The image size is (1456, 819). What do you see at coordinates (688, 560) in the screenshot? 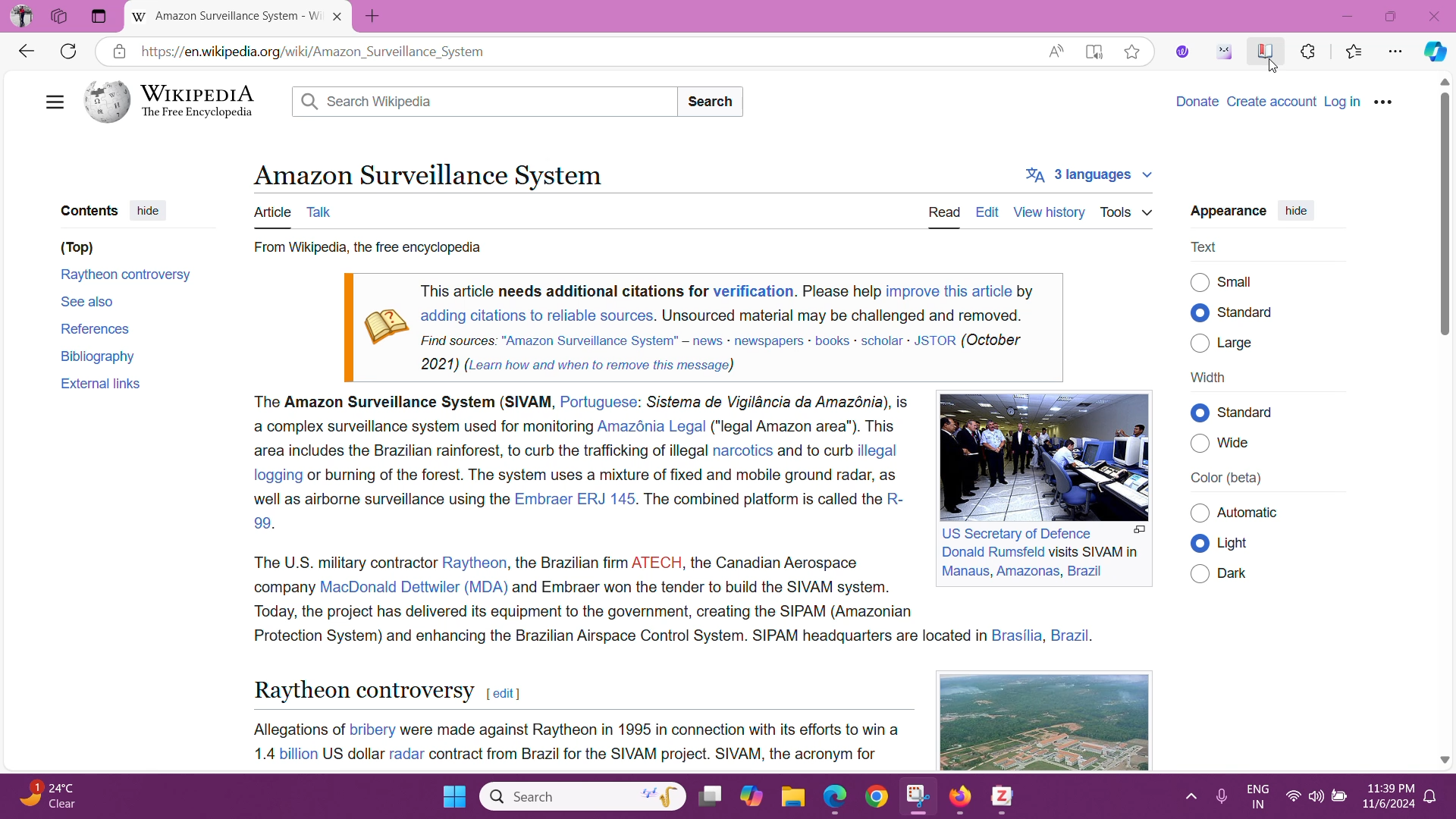
I see `the Brazilian firm ATECH, the Canadian Aerospace` at bounding box center [688, 560].